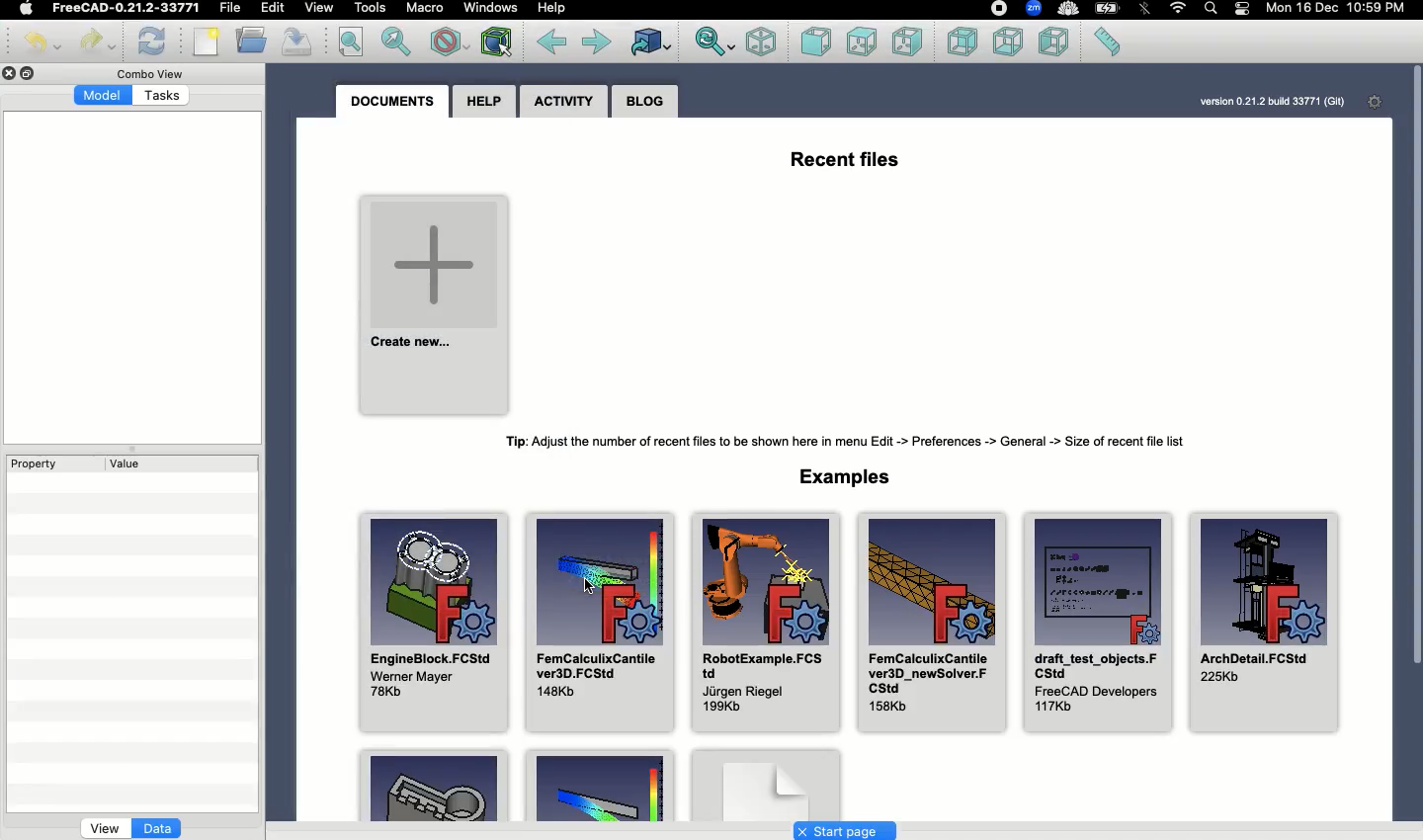 The height and width of the screenshot is (840, 1423). What do you see at coordinates (433, 303) in the screenshot?
I see `Create new` at bounding box center [433, 303].